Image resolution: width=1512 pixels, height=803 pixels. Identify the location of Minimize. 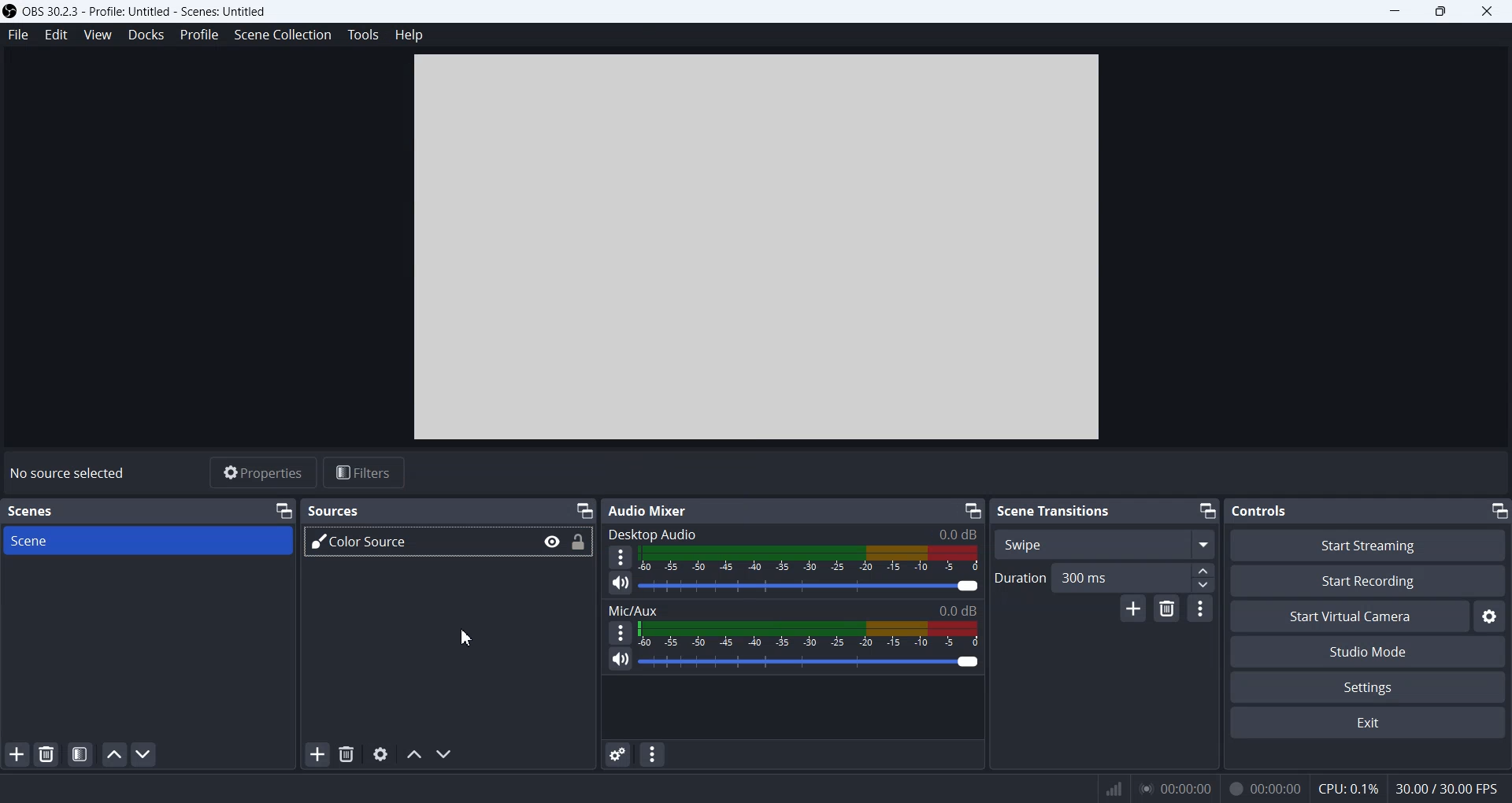
(283, 509).